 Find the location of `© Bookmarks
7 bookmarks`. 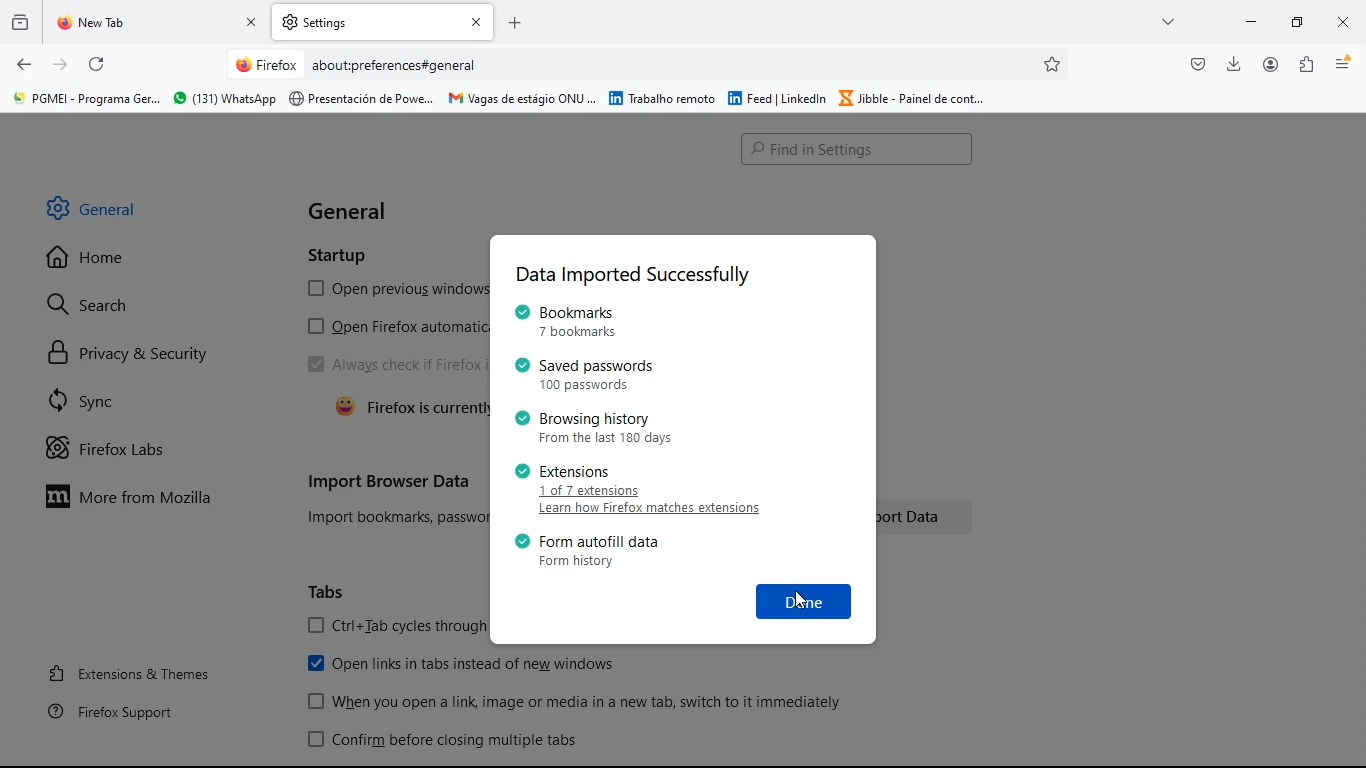

© Bookmarks
7 bookmarks is located at coordinates (569, 321).